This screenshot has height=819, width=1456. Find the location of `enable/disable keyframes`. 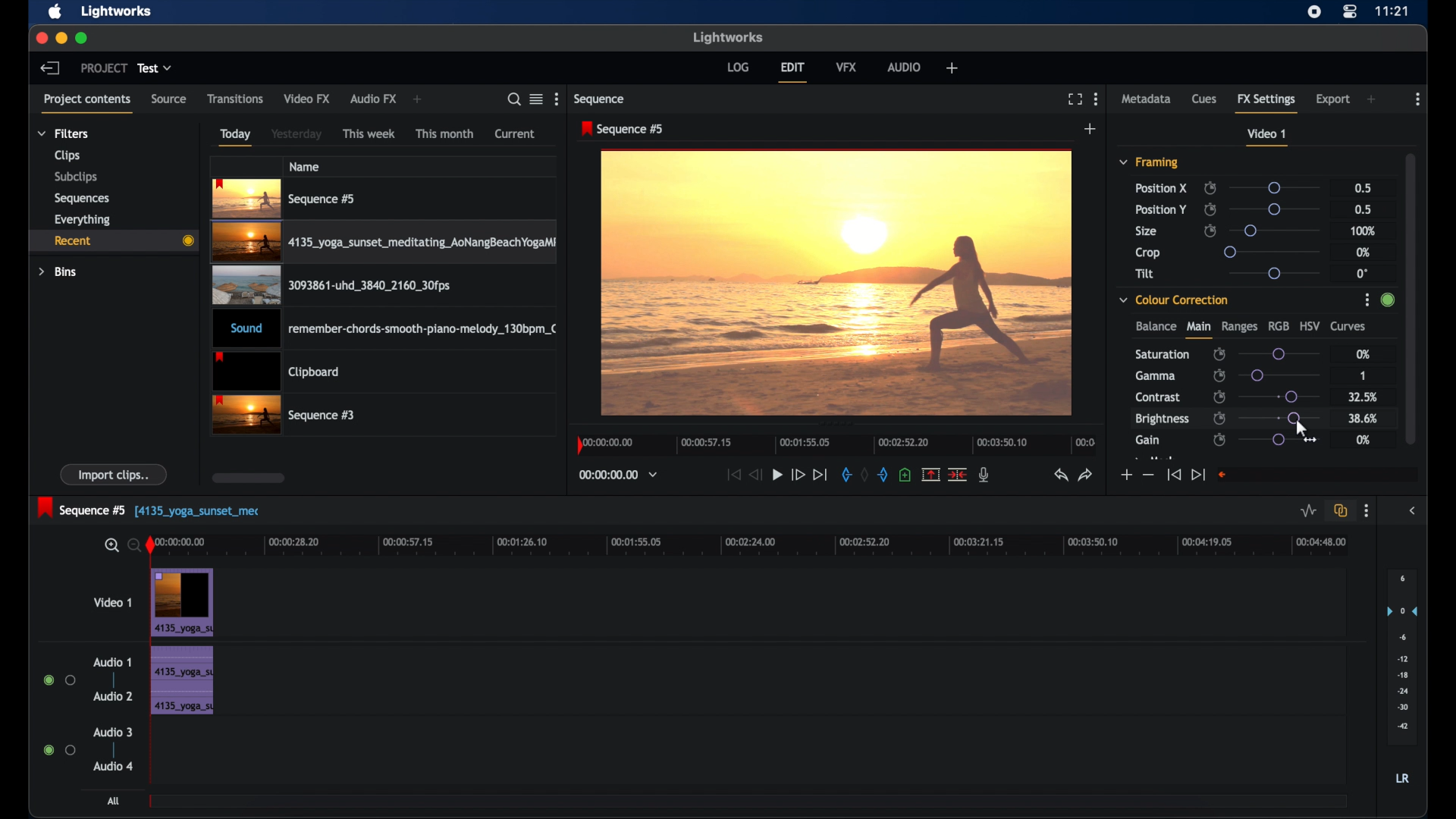

enable/disable keyframes is located at coordinates (1219, 441).